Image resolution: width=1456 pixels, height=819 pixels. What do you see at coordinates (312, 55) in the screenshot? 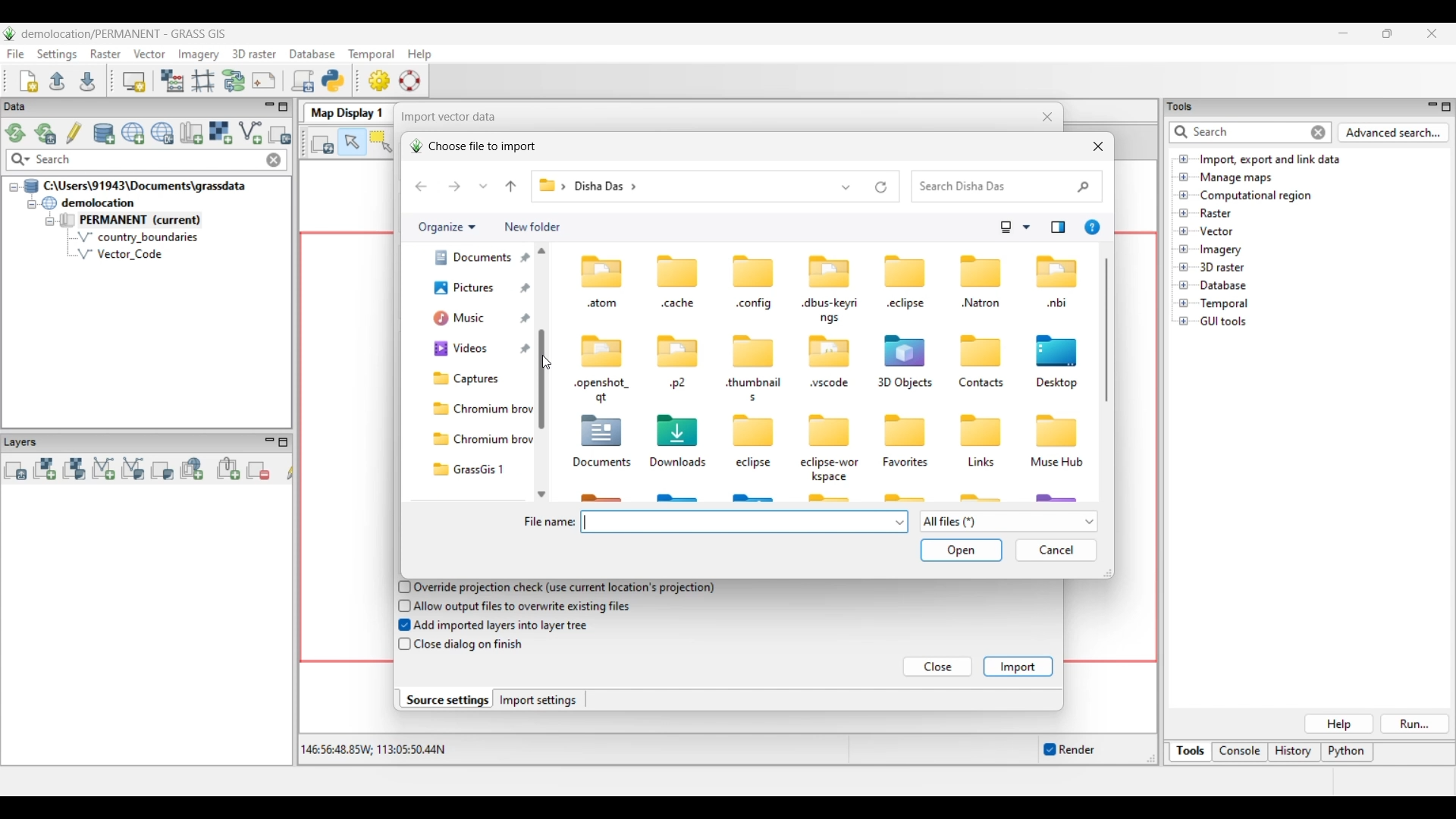
I see `Database menu` at bounding box center [312, 55].